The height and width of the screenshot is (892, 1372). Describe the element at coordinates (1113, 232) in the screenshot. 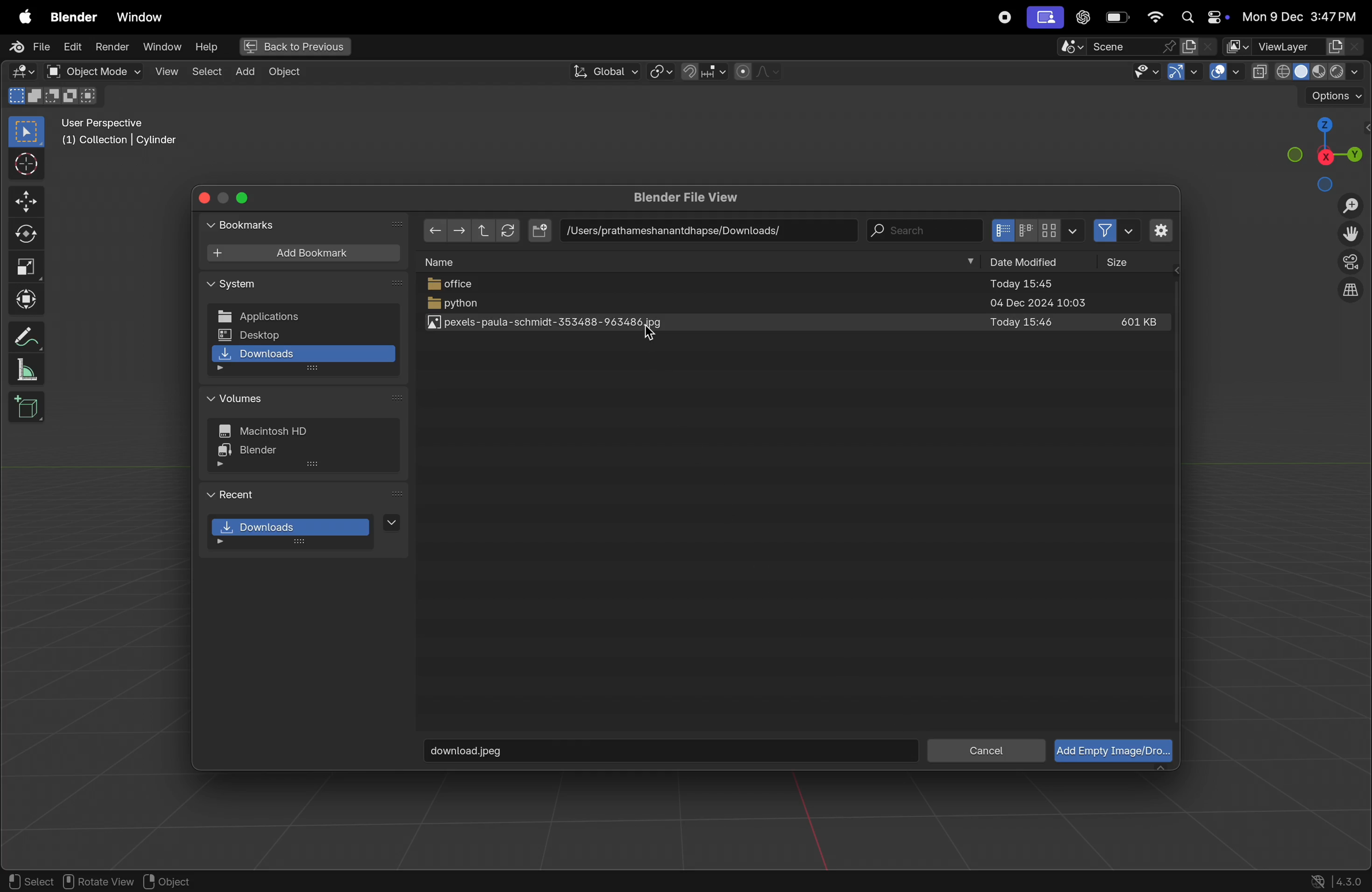

I see `filters` at that location.